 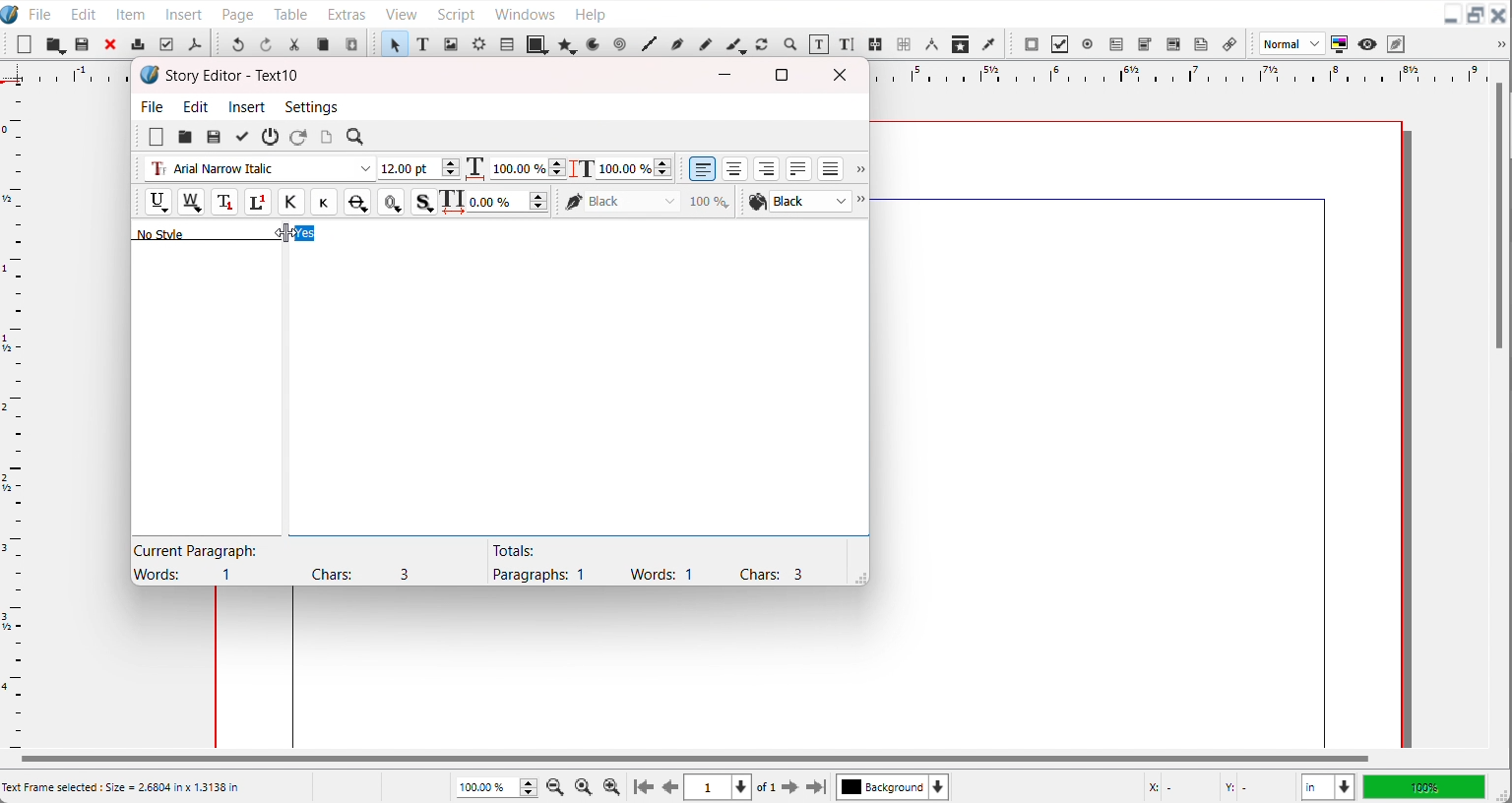 I want to click on Zoom In, so click(x=612, y=786).